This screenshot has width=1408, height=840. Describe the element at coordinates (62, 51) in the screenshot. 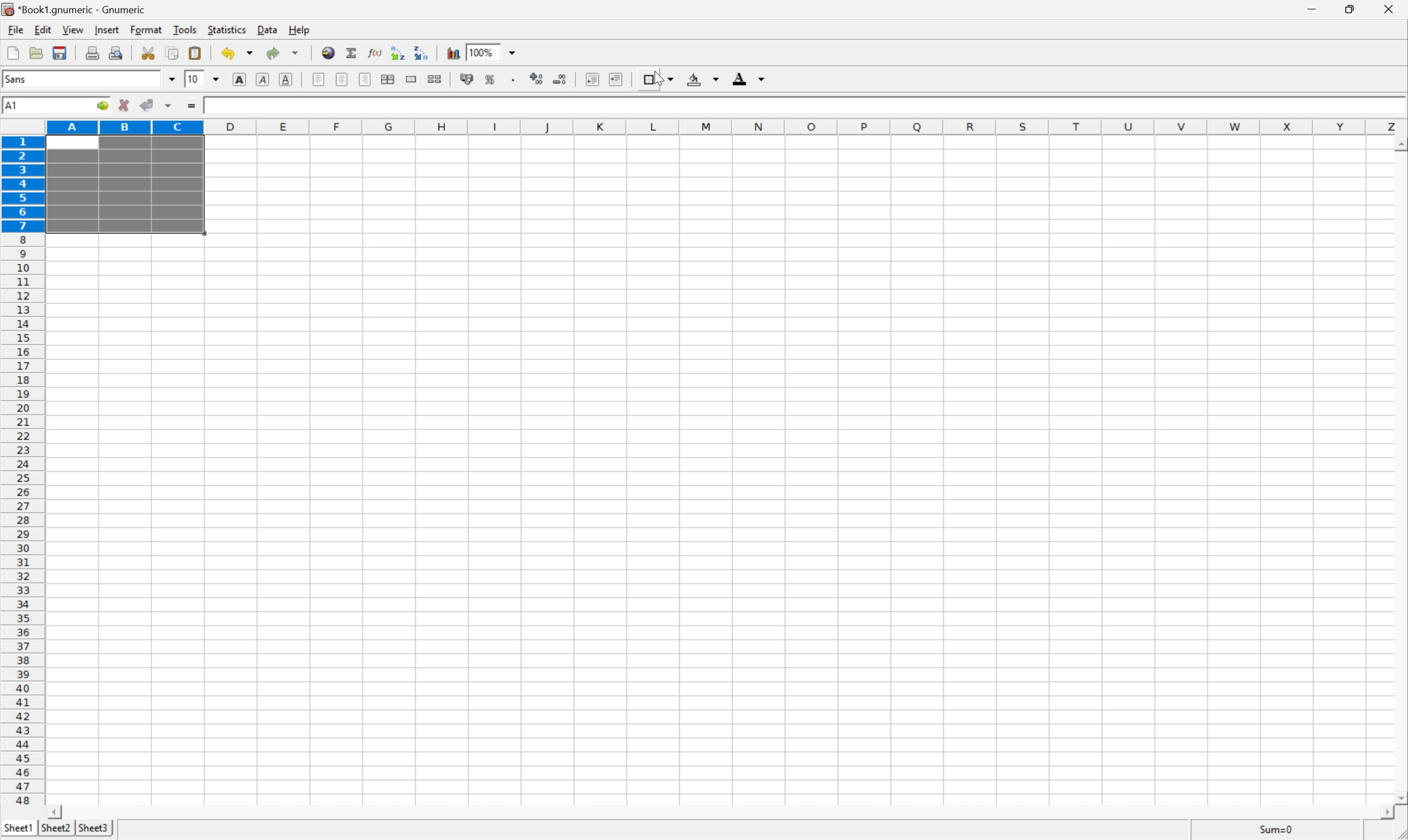

I see `save current workbook` at that location.